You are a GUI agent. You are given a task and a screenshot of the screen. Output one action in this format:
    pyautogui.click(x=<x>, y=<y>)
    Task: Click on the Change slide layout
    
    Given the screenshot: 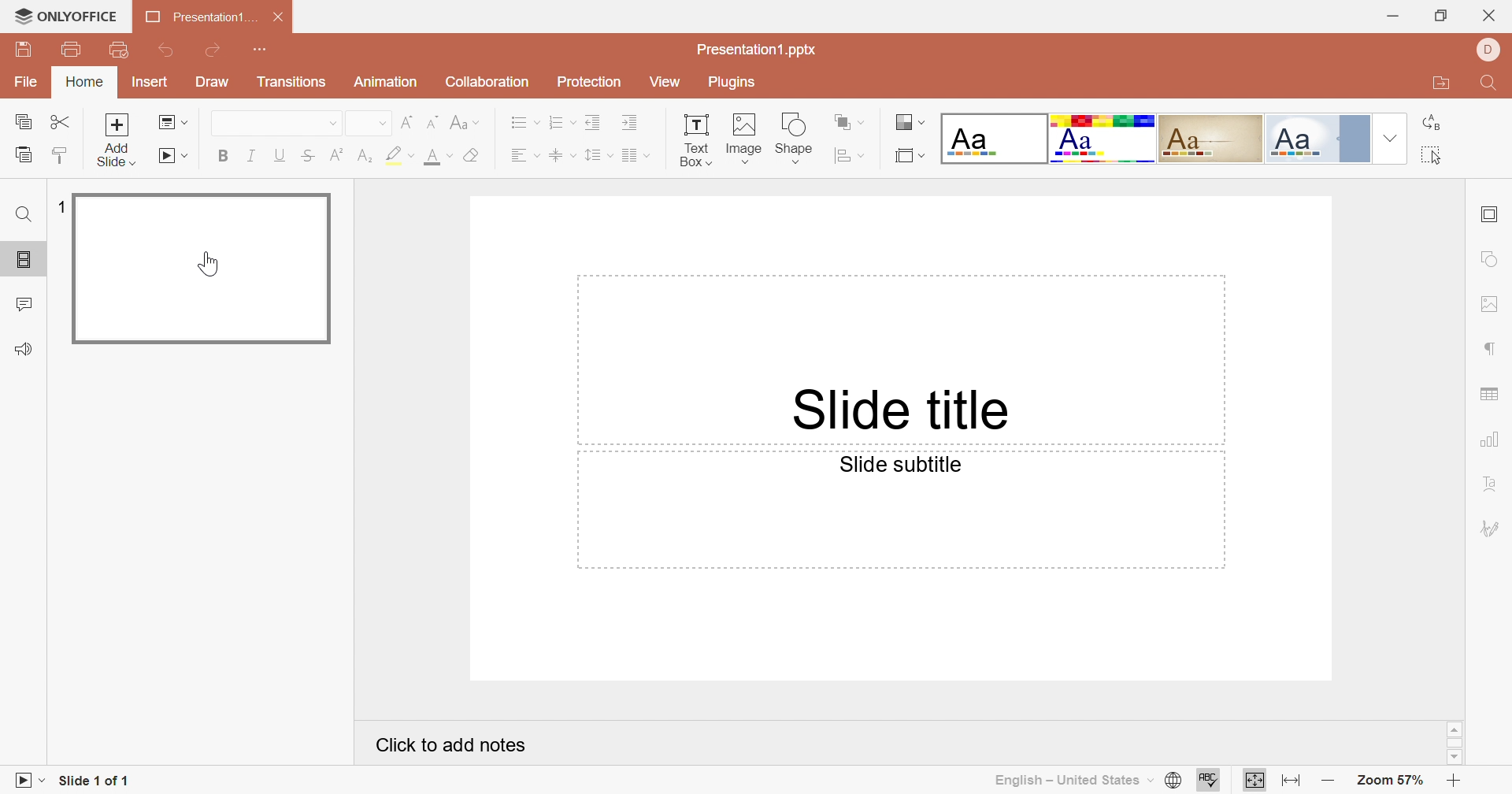 What is the action you would take?
    pyautogui.click(x=169, y=122)
    